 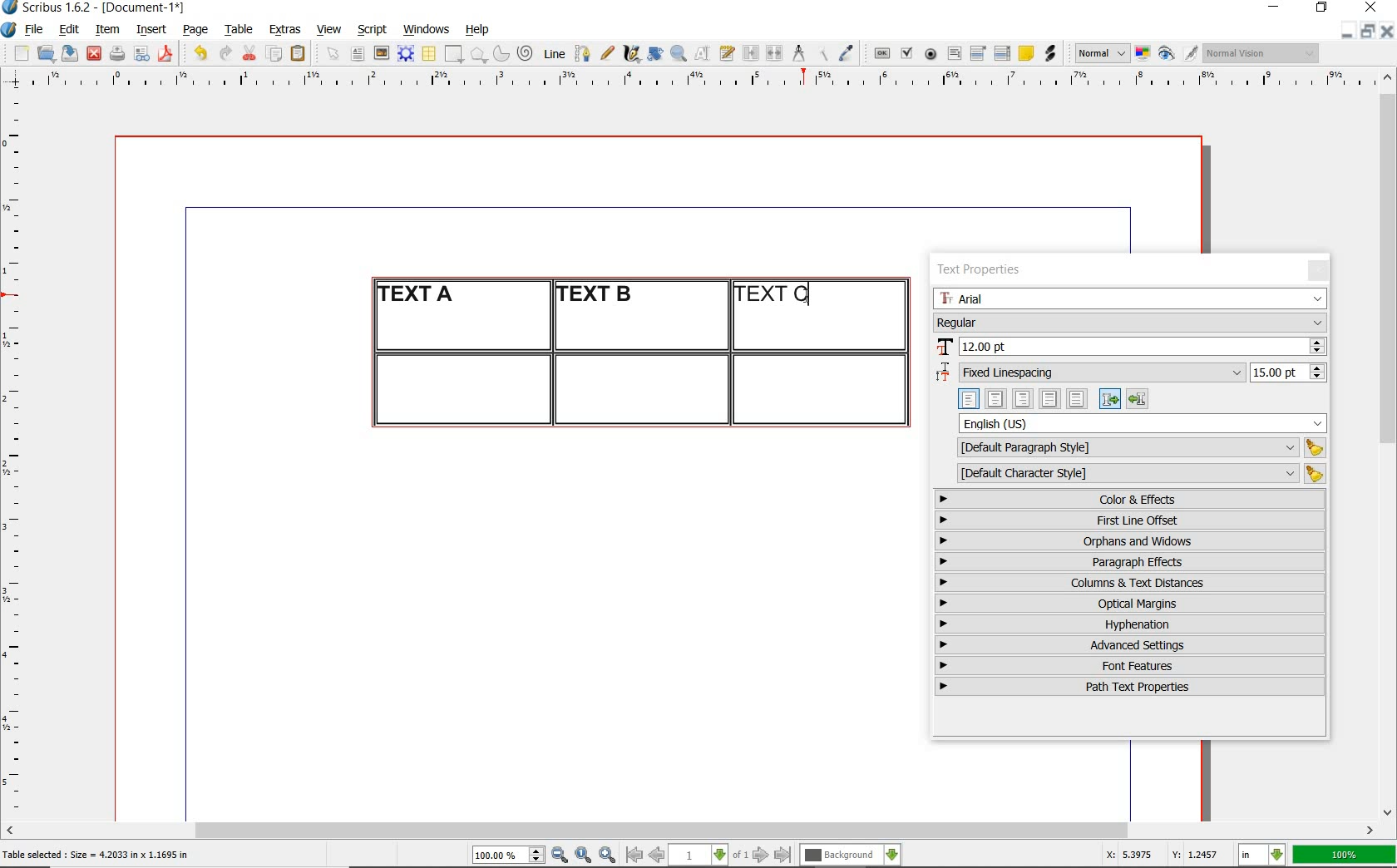 I want to click on text boldened, so click(x=597, y=293).